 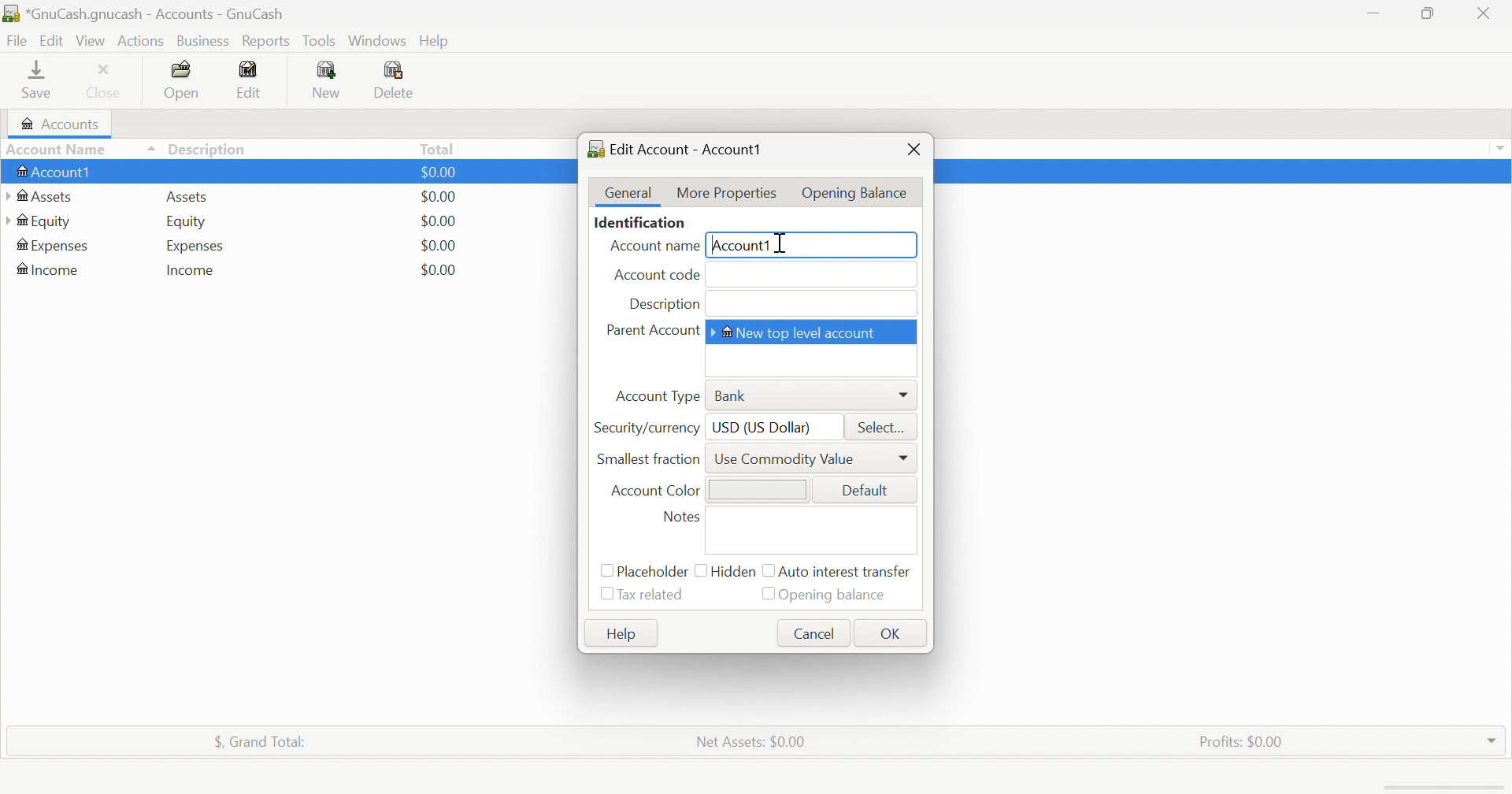 What do you see at coordinates (906, 458) in the screenshot?
I see `More` at bounding box center [906, 458].